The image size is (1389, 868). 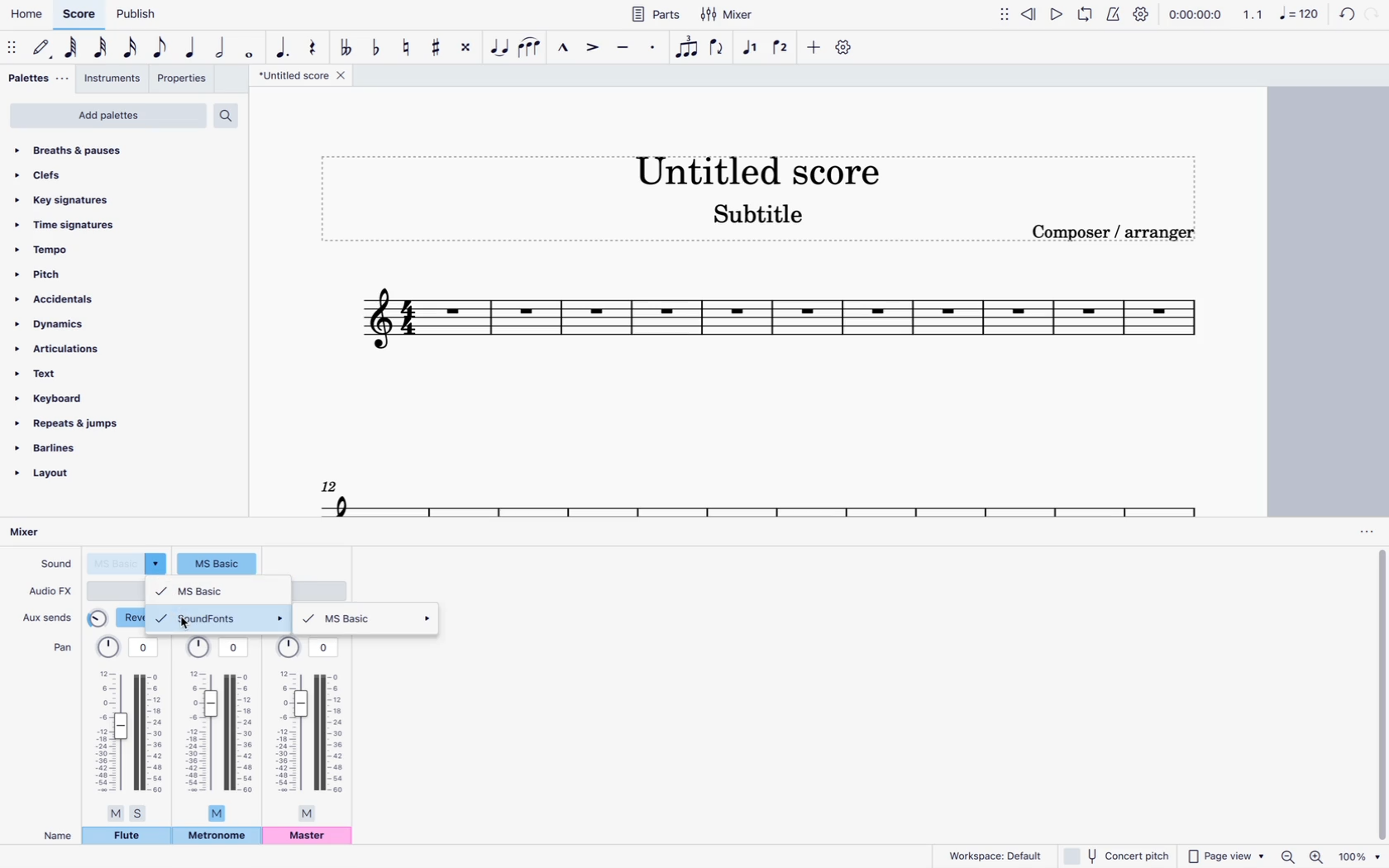 I want to click on sound type, so click(x=128, y=563).